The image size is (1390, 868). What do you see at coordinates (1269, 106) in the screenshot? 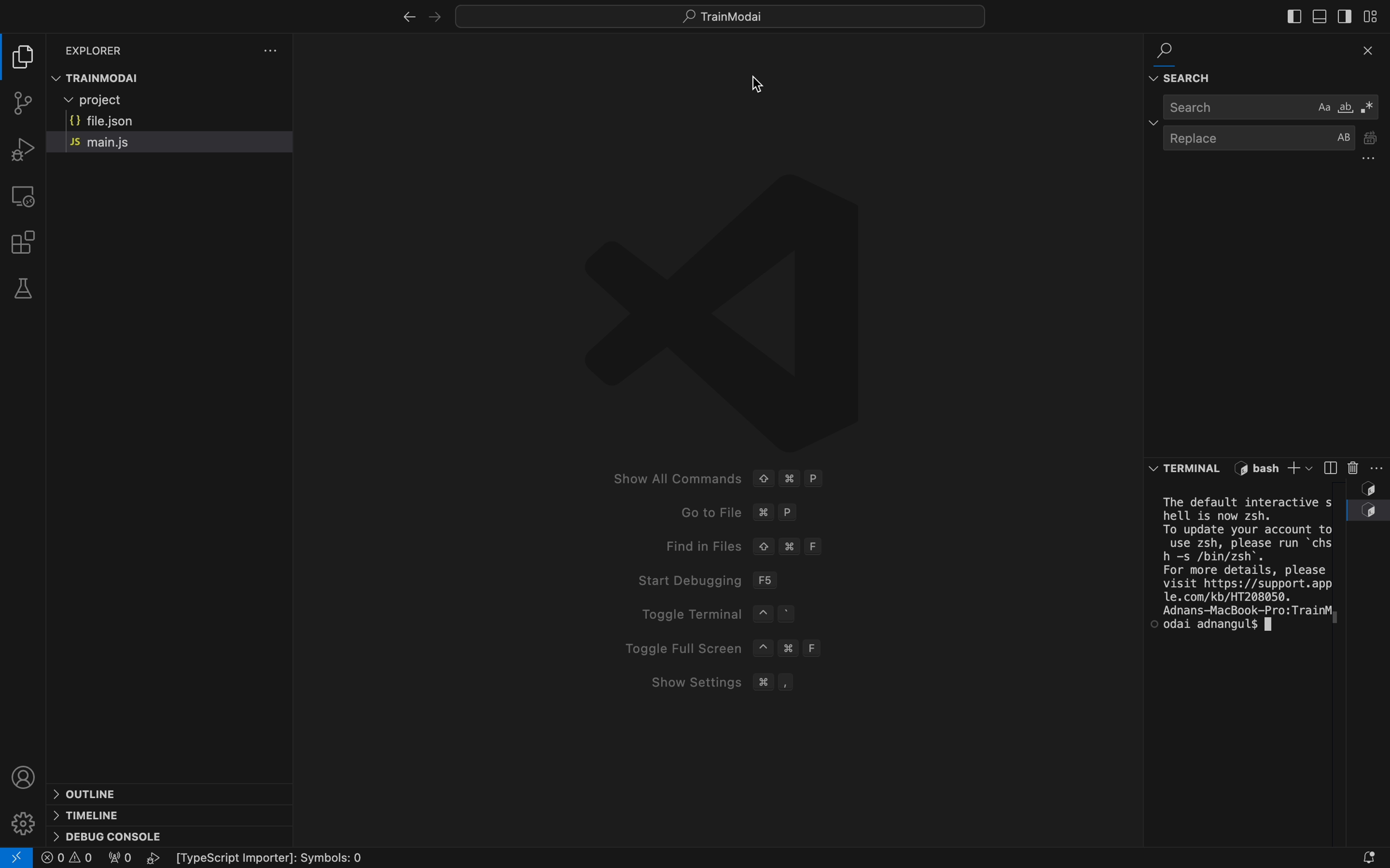
I see `search` at bounding box center [1269, 106].